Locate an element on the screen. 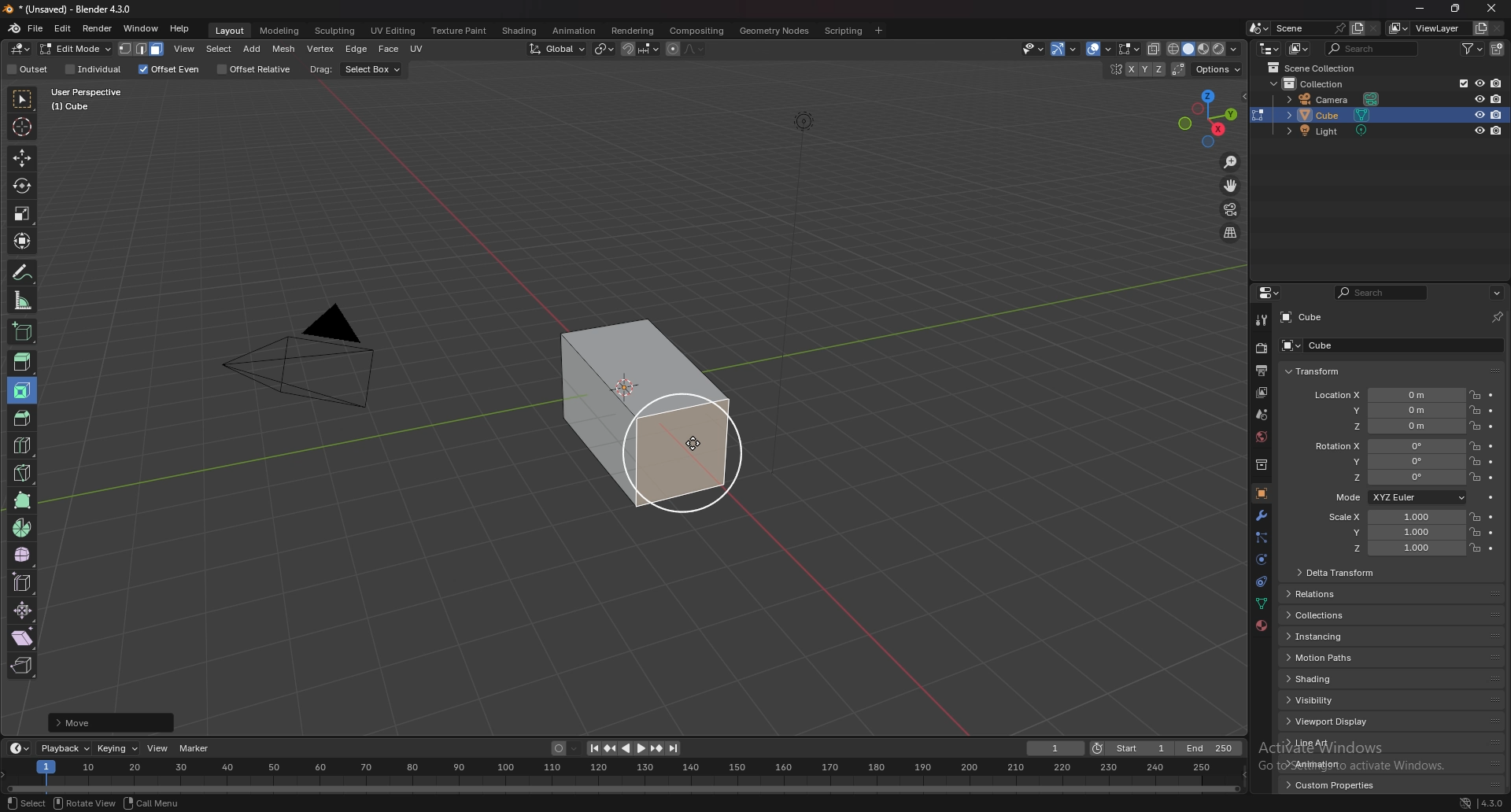 The height and width of the screenshot is (812, 1511). jump to endpoint is located at coordinates (592, 748).